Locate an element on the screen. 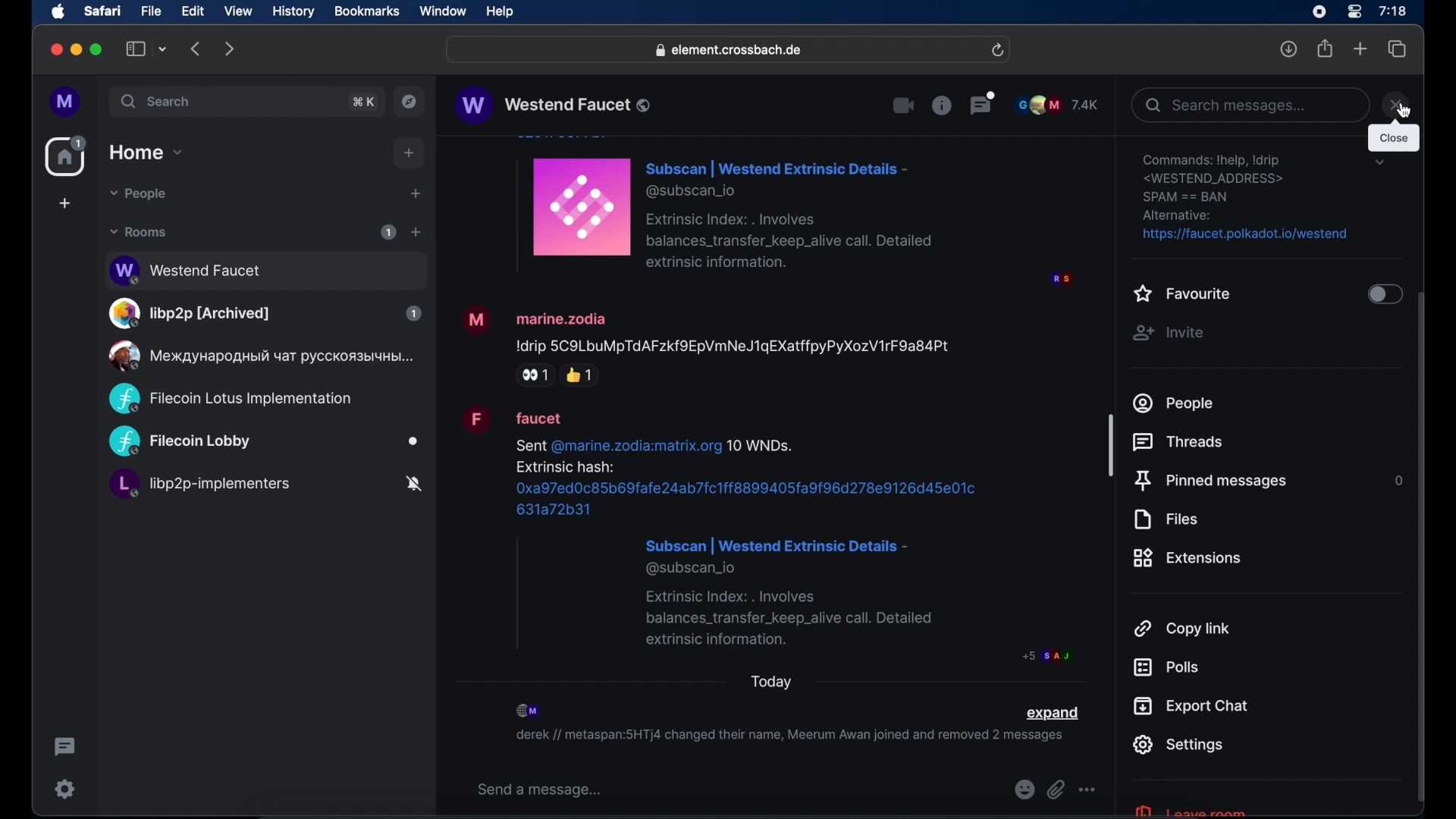 This screenshot has width=1456, height=819. thread activity is located at coordinates (66, 747).